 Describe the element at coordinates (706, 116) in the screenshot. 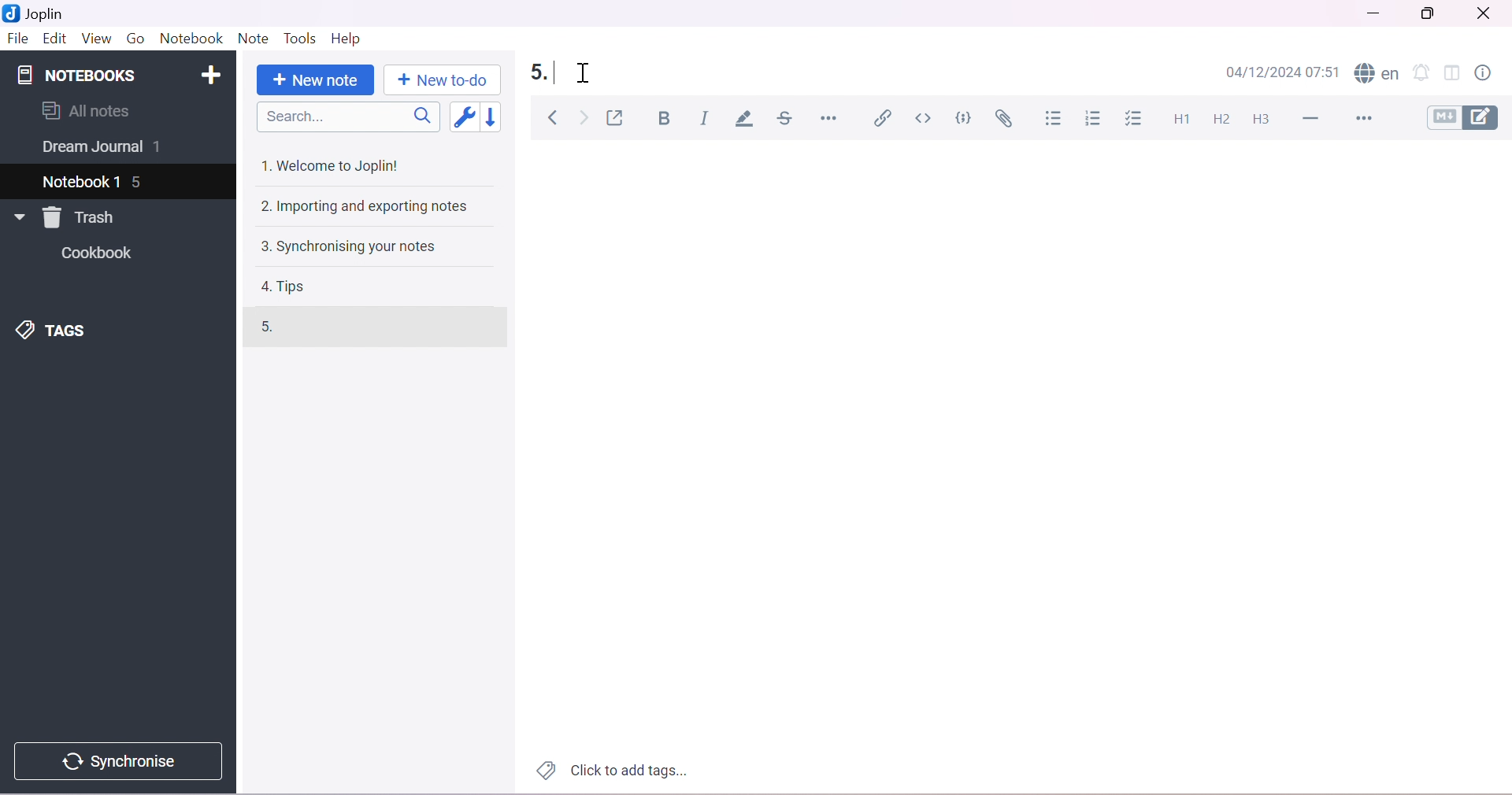

I see `Italic` at that location.